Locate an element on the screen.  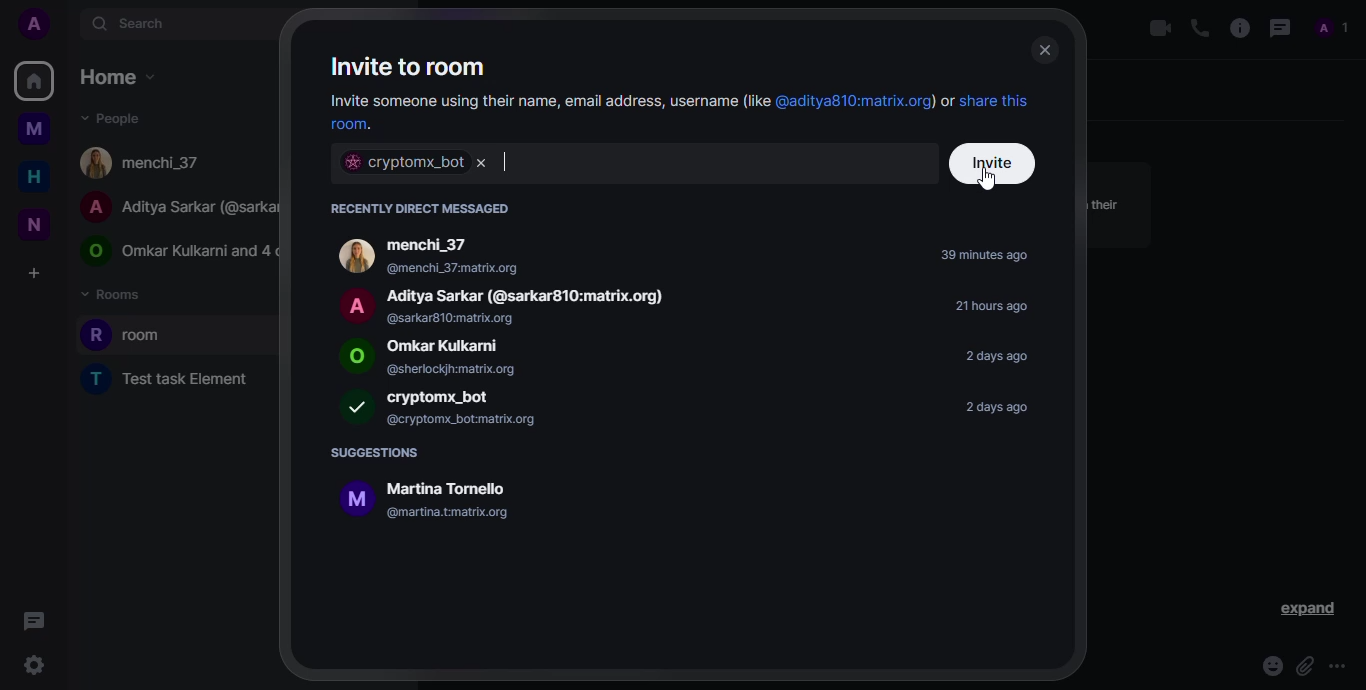
search is located at coordinates (131, 23).